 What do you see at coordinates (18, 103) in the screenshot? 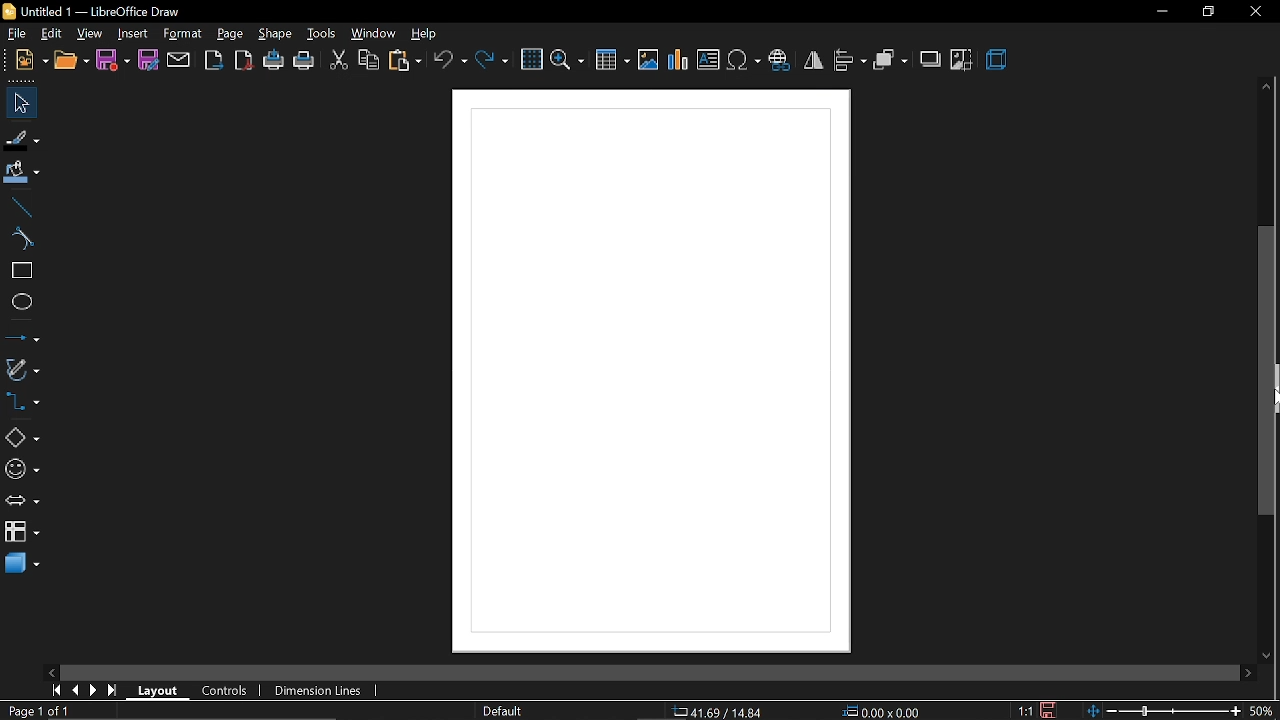
I see `select` at bounding box center [18, 103].